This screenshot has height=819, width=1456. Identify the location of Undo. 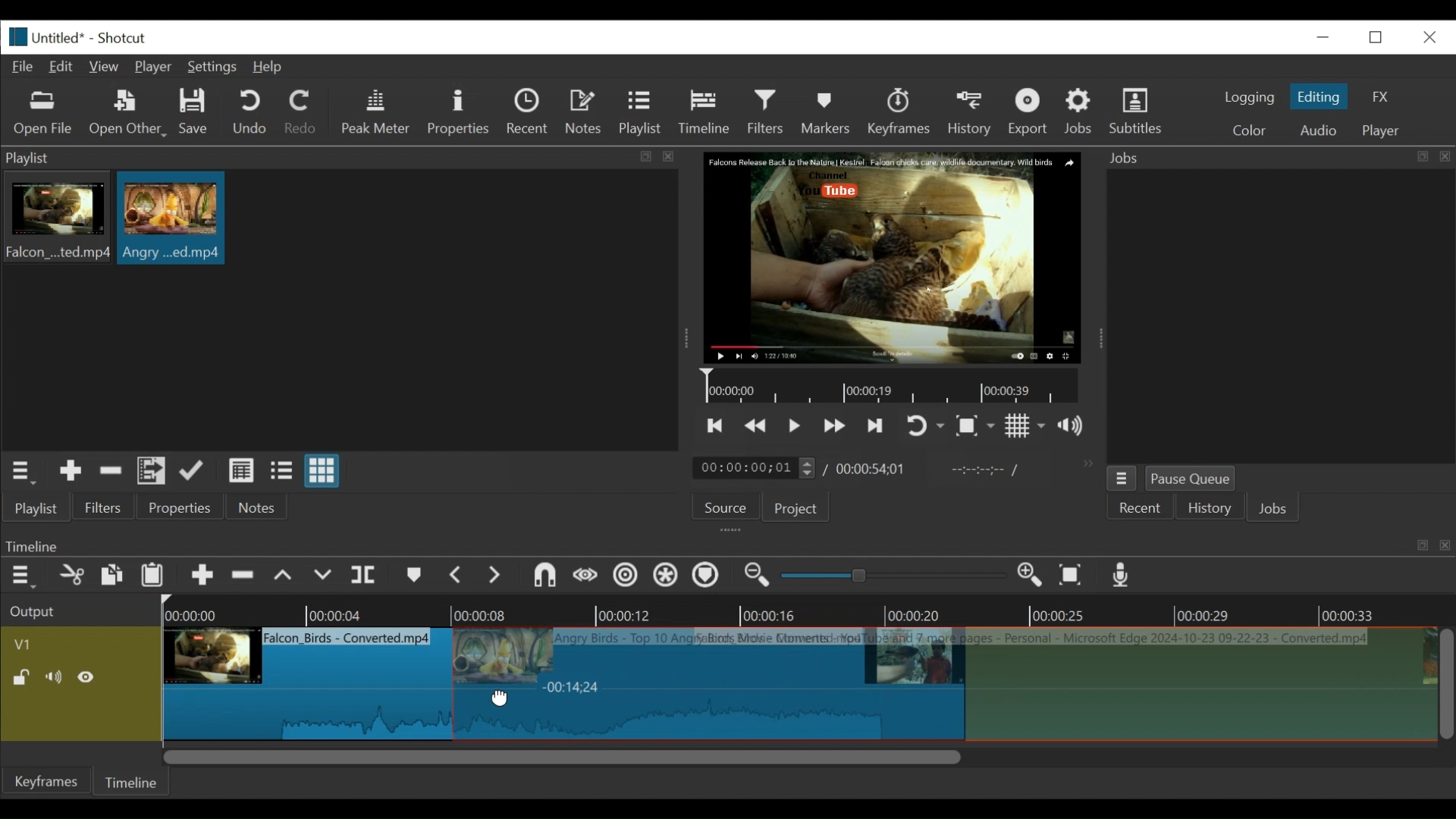
(252, 113).